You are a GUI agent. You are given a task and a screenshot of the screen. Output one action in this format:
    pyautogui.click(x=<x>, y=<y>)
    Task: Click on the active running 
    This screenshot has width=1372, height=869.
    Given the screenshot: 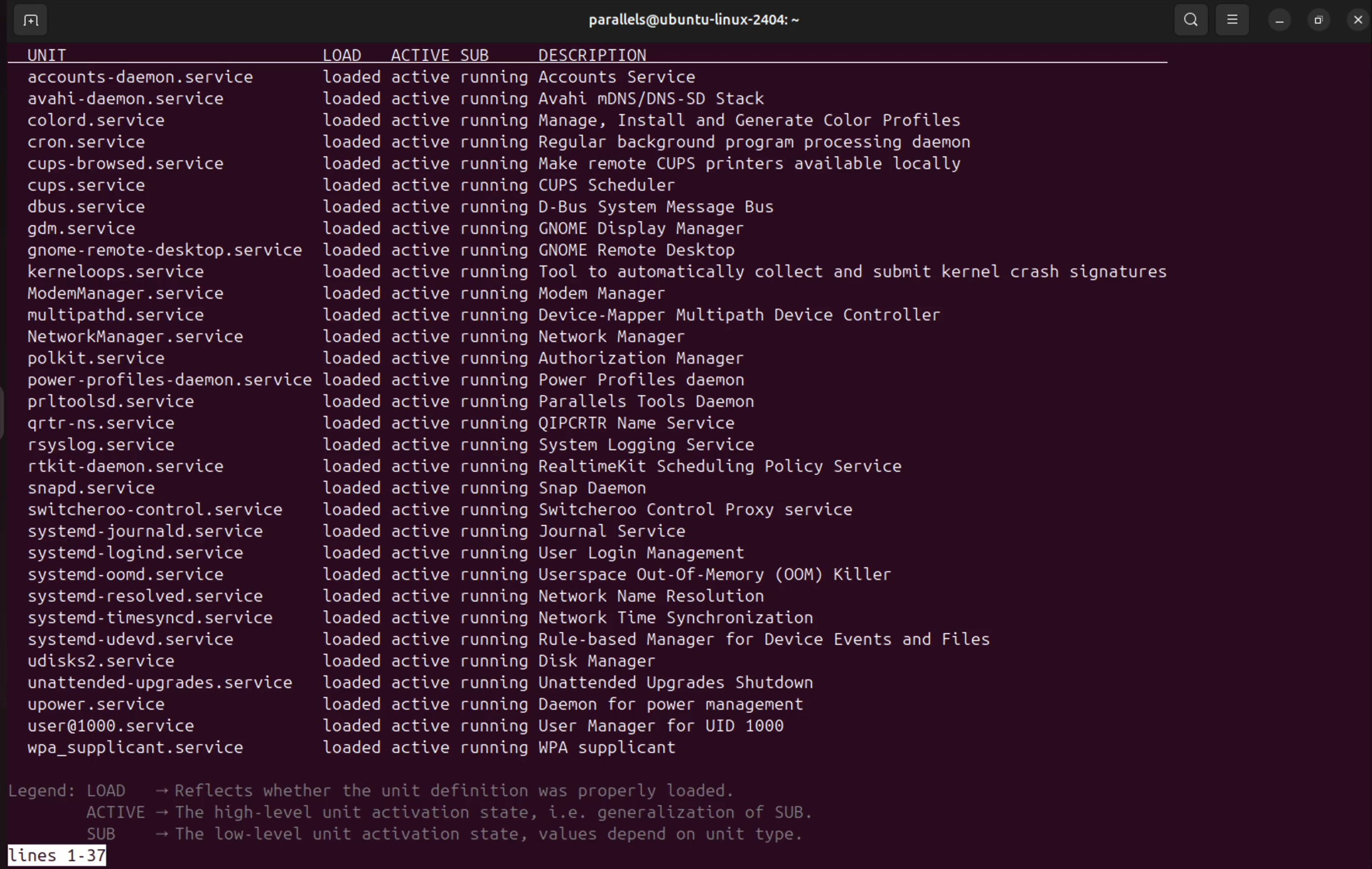 What is the action you would take?
    pyautogui.click(x=546, y=536)
    